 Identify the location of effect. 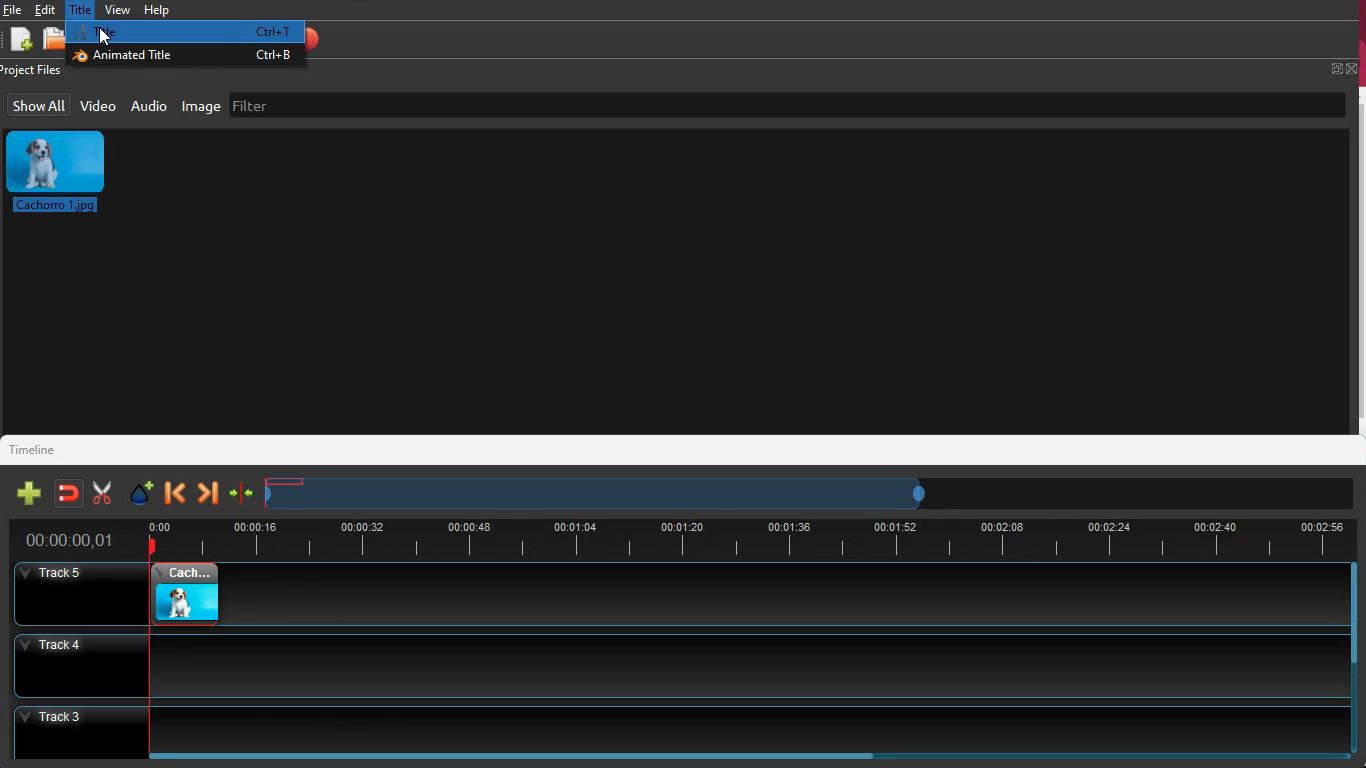
(138, 492).